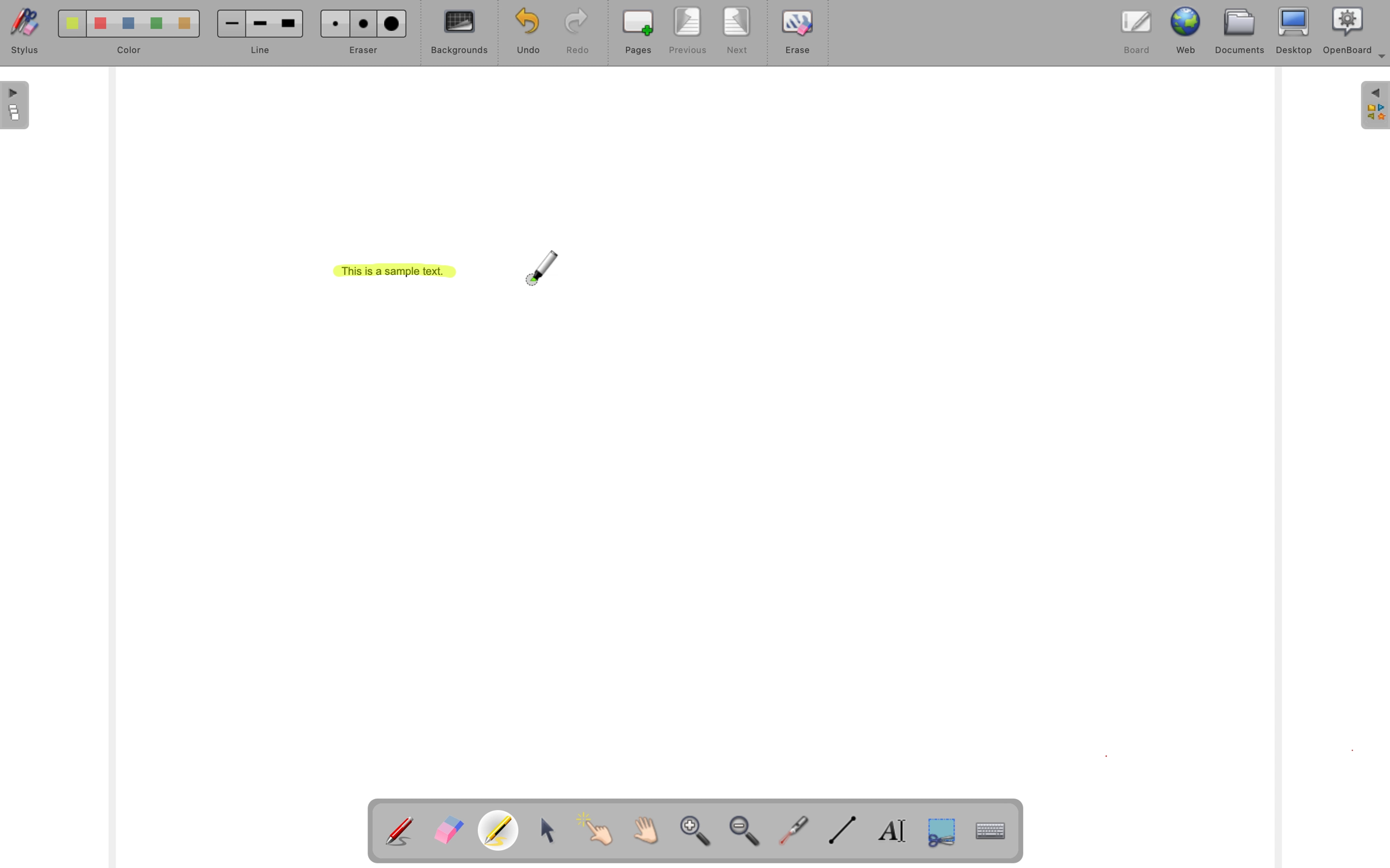  What do you see at coordinates (941, 831) in the screenshot?
I see `capture part of the screen` at bounding box center [941, 831].